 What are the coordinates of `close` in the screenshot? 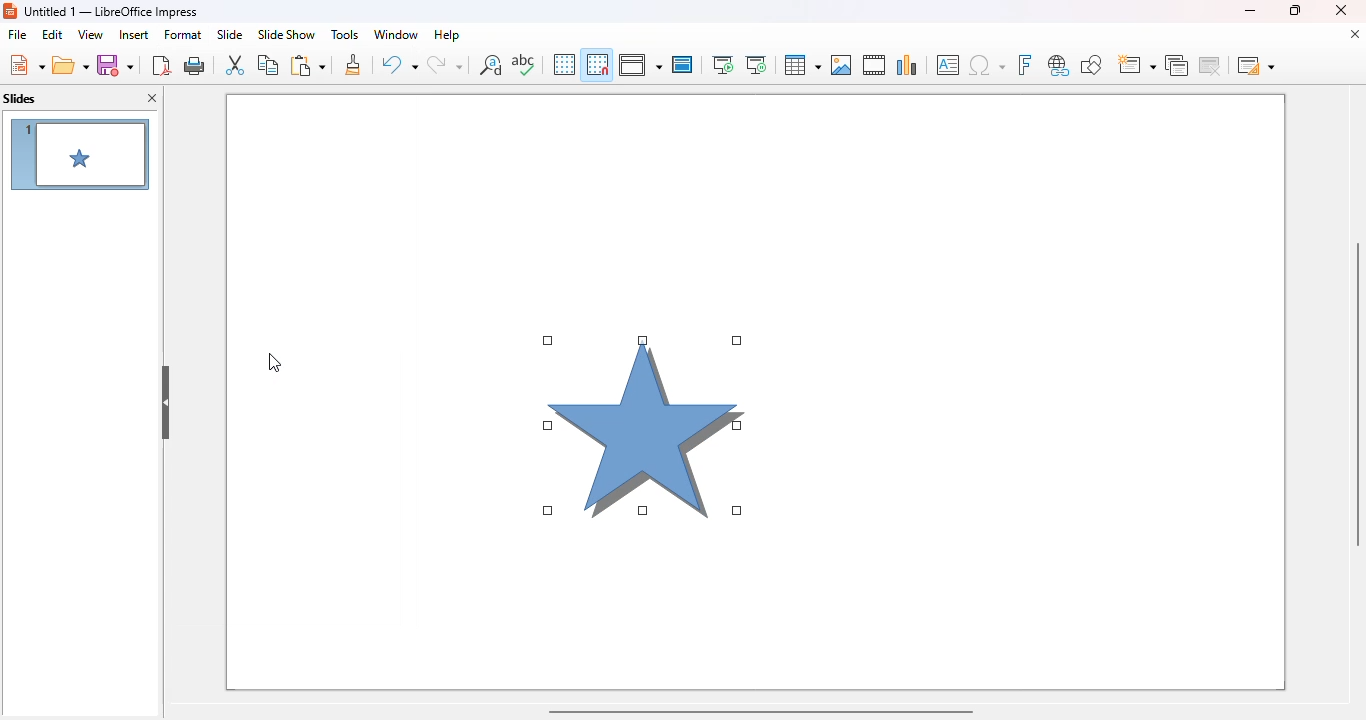 It's located at (1341, 10).